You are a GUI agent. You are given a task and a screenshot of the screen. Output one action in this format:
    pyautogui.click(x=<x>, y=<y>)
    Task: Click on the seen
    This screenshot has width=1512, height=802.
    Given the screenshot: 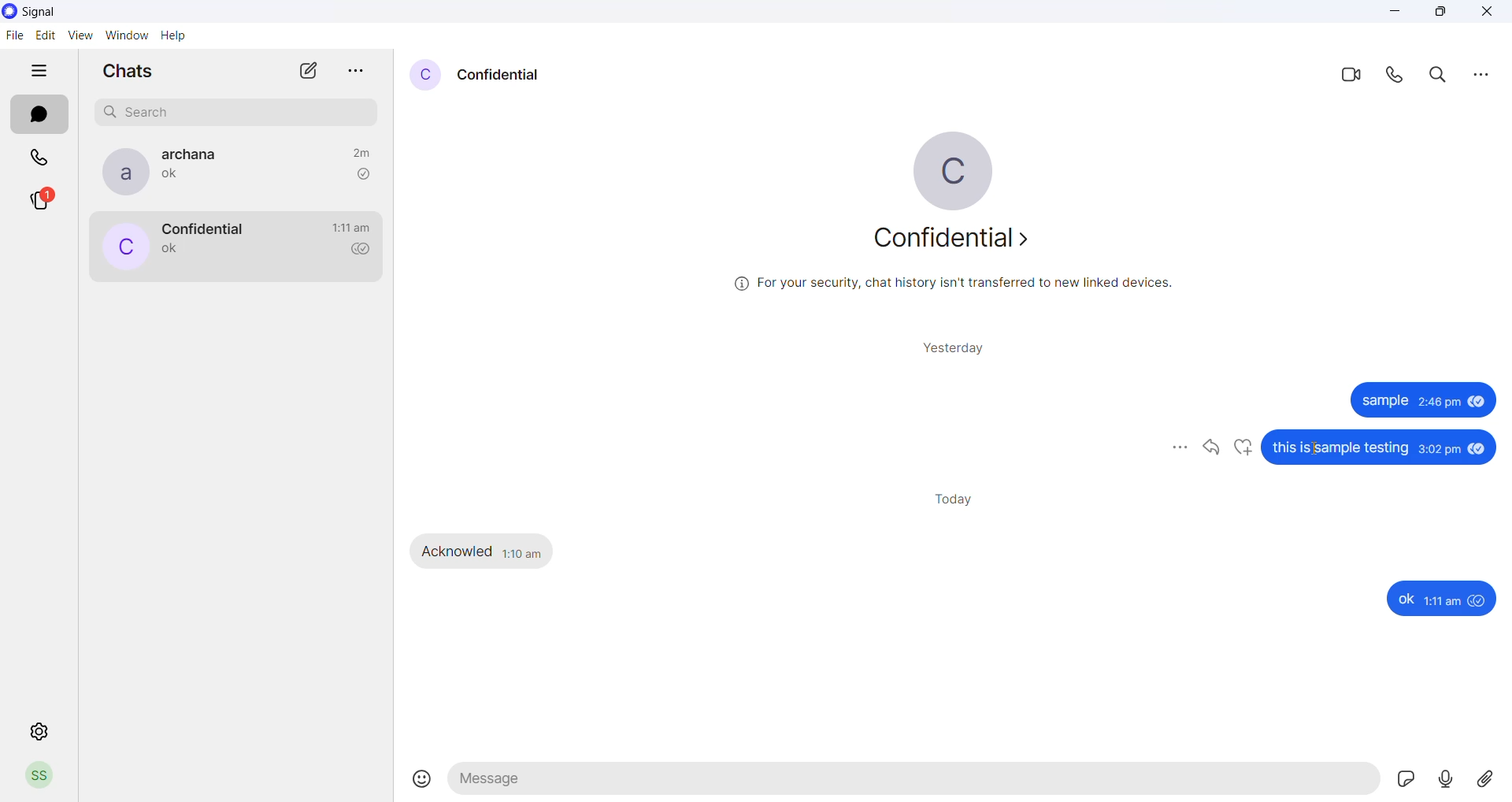 What is the action you would take?
    pyautogui.click(x=1477, y=405)
    